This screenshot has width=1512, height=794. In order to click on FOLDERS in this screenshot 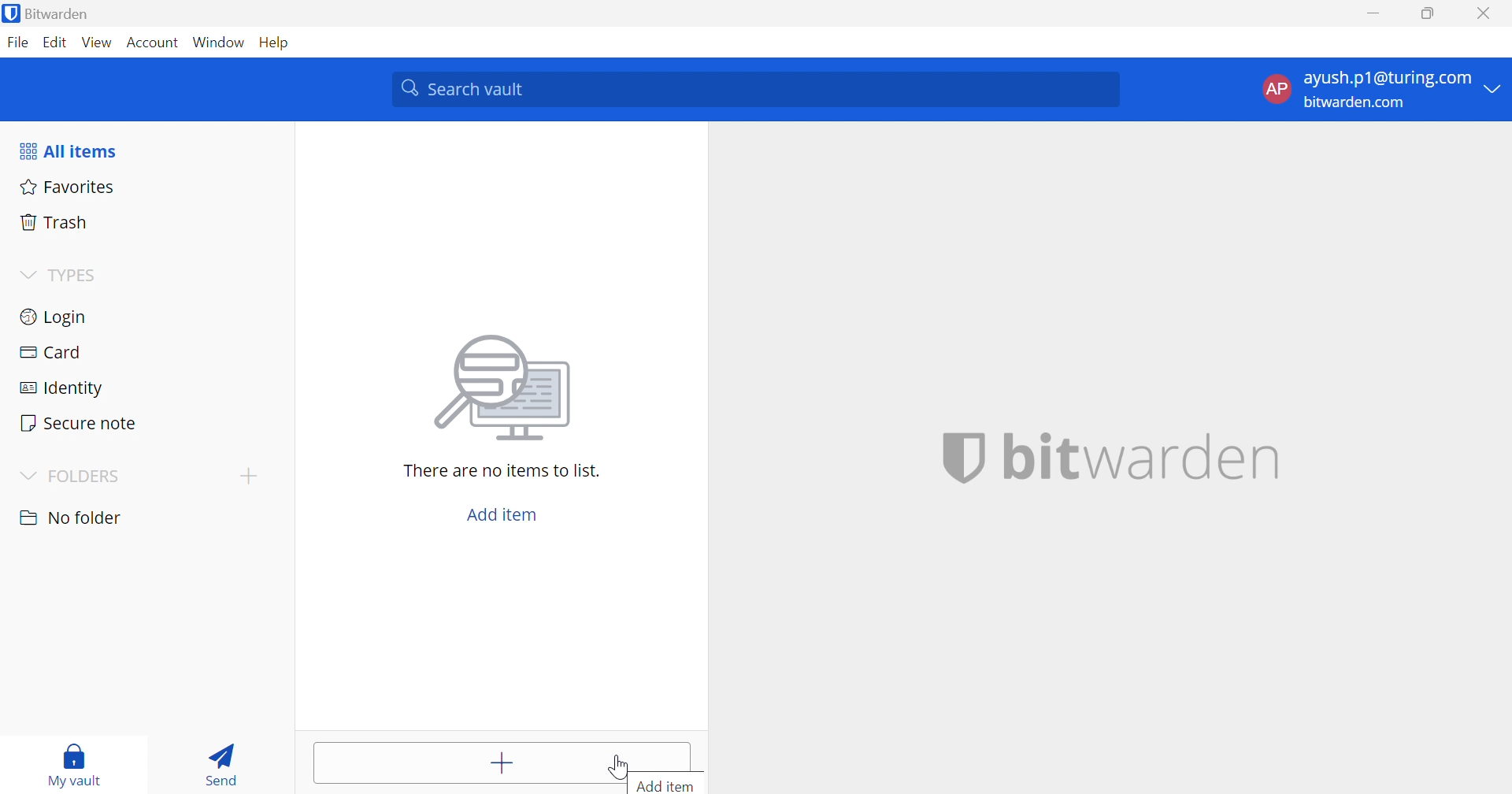, I will do `click(87, 477)`.